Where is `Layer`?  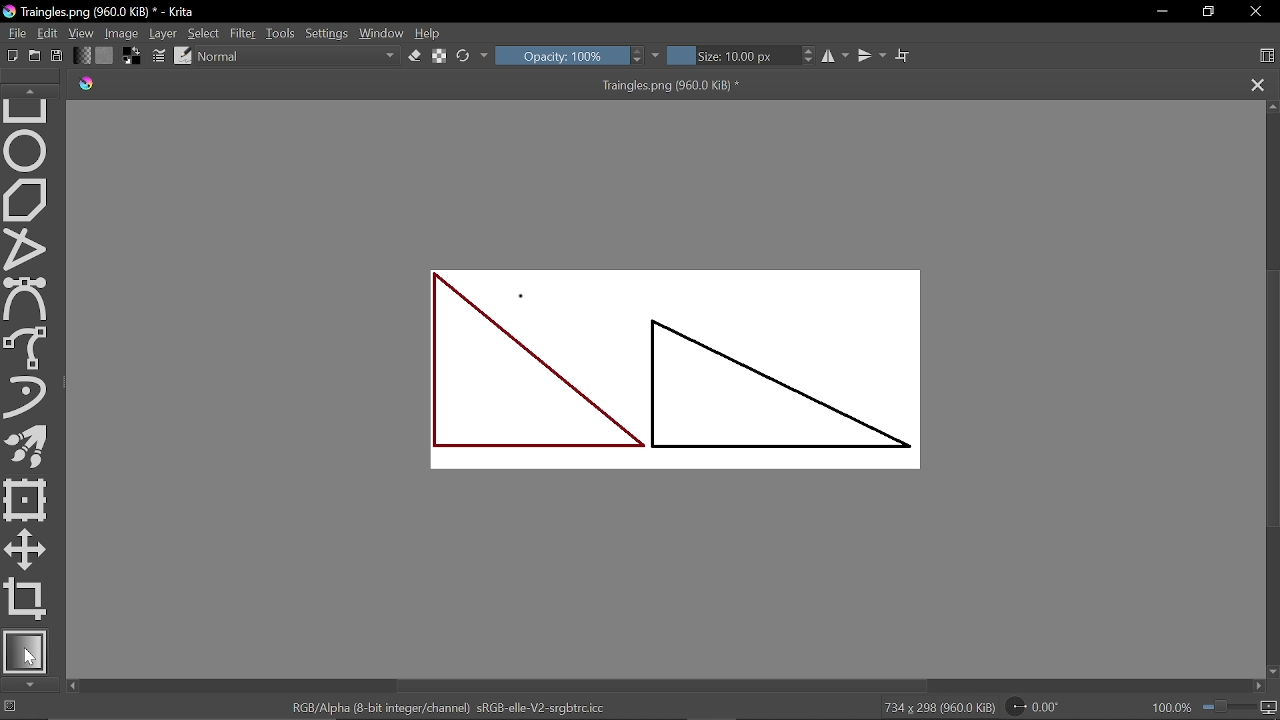
Layer is located at coordinates (162, 32).